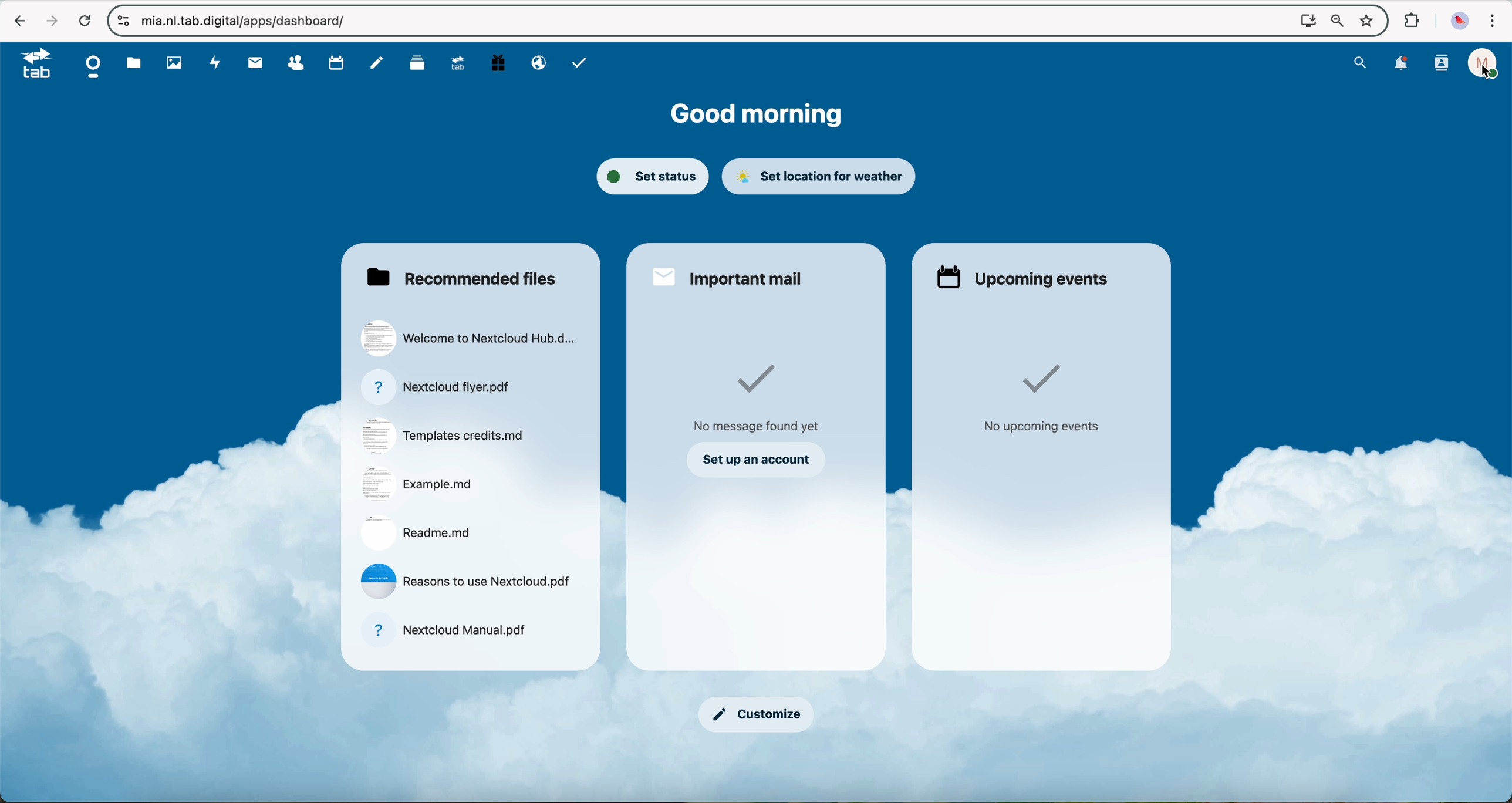 This screenshot has width=1512, height=803. What do you see at coordinates (1305, 20) in the screenshot?
I see `Install NExtcloud` at bounding box center [1305, 20].